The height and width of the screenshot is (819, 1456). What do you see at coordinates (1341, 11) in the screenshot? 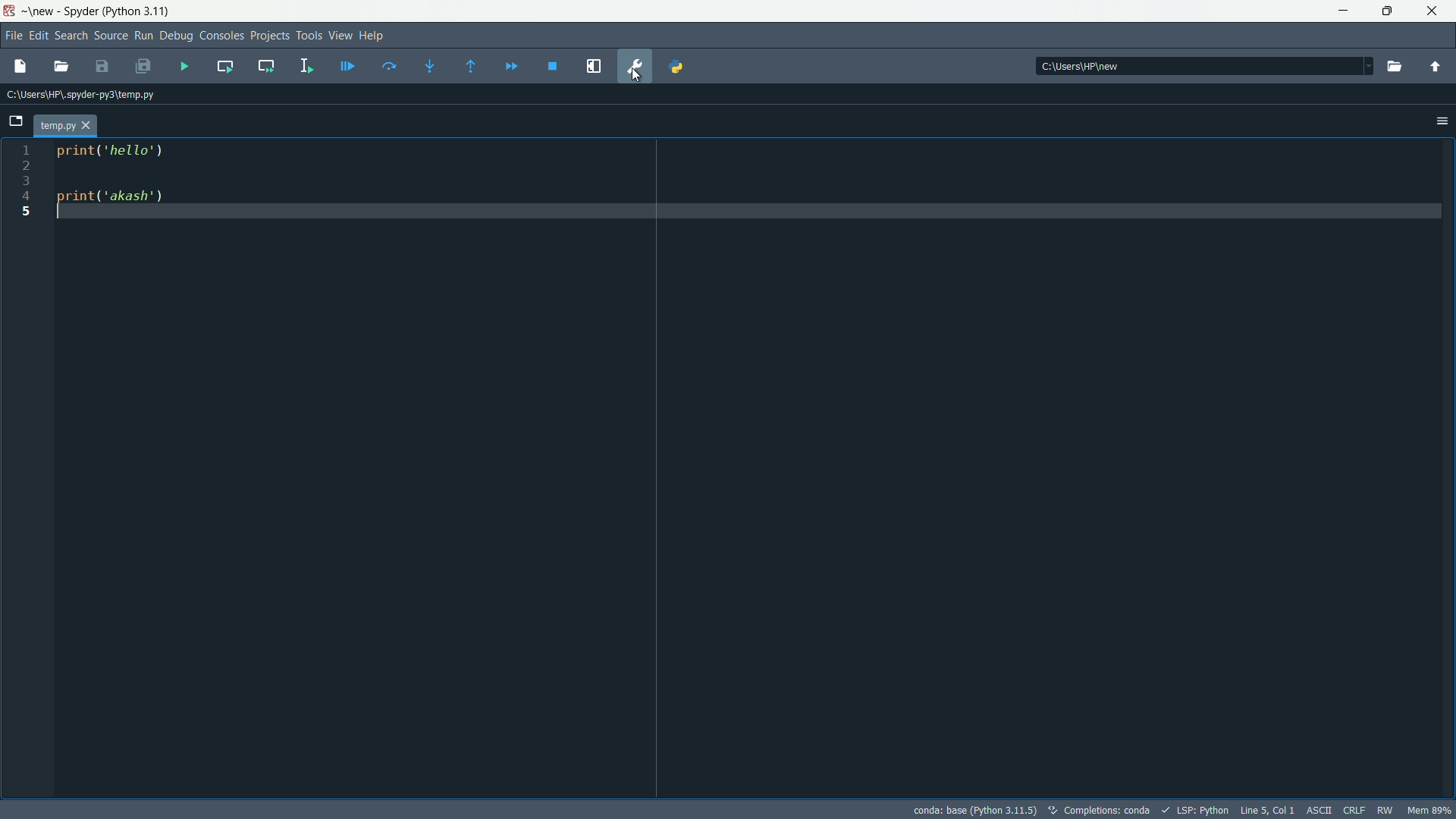
I see `minimize` at bounding box center [1341, 11].